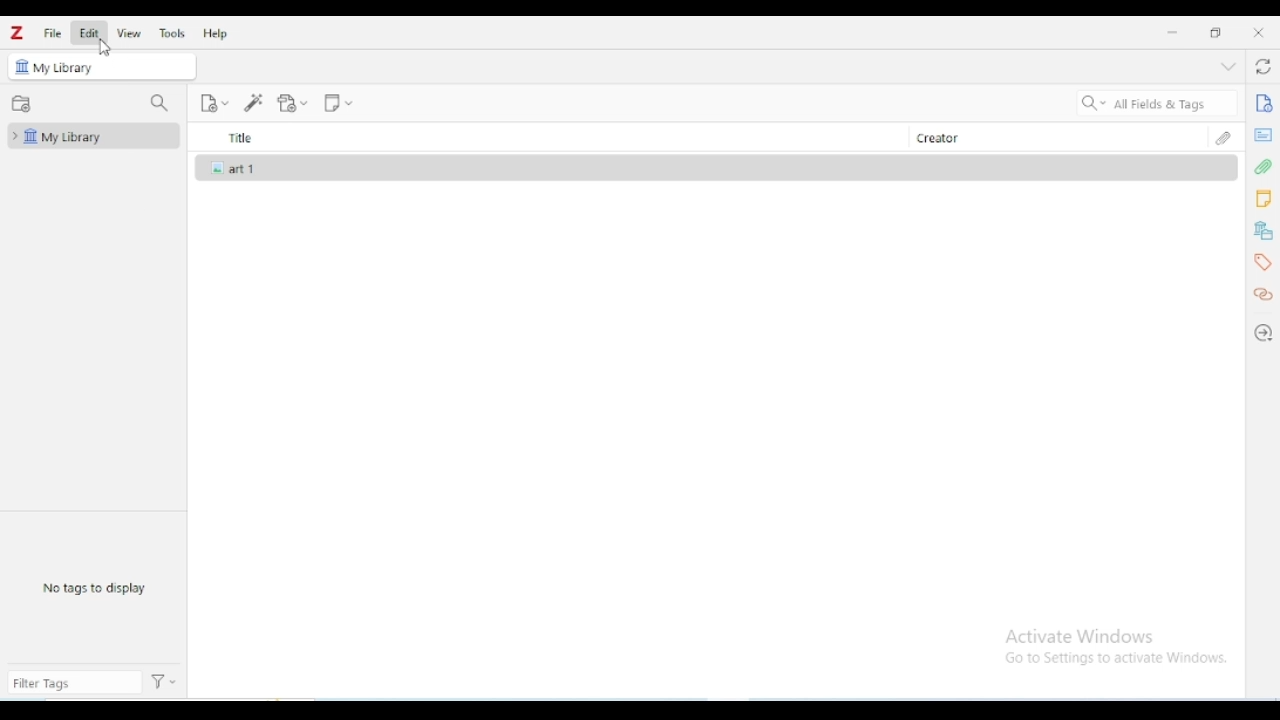 Image resolution: width=1280 pixels, height=720 pixels. Describe the element at coordinates (89, 33) in the screenshot. I see `edit` at that location.